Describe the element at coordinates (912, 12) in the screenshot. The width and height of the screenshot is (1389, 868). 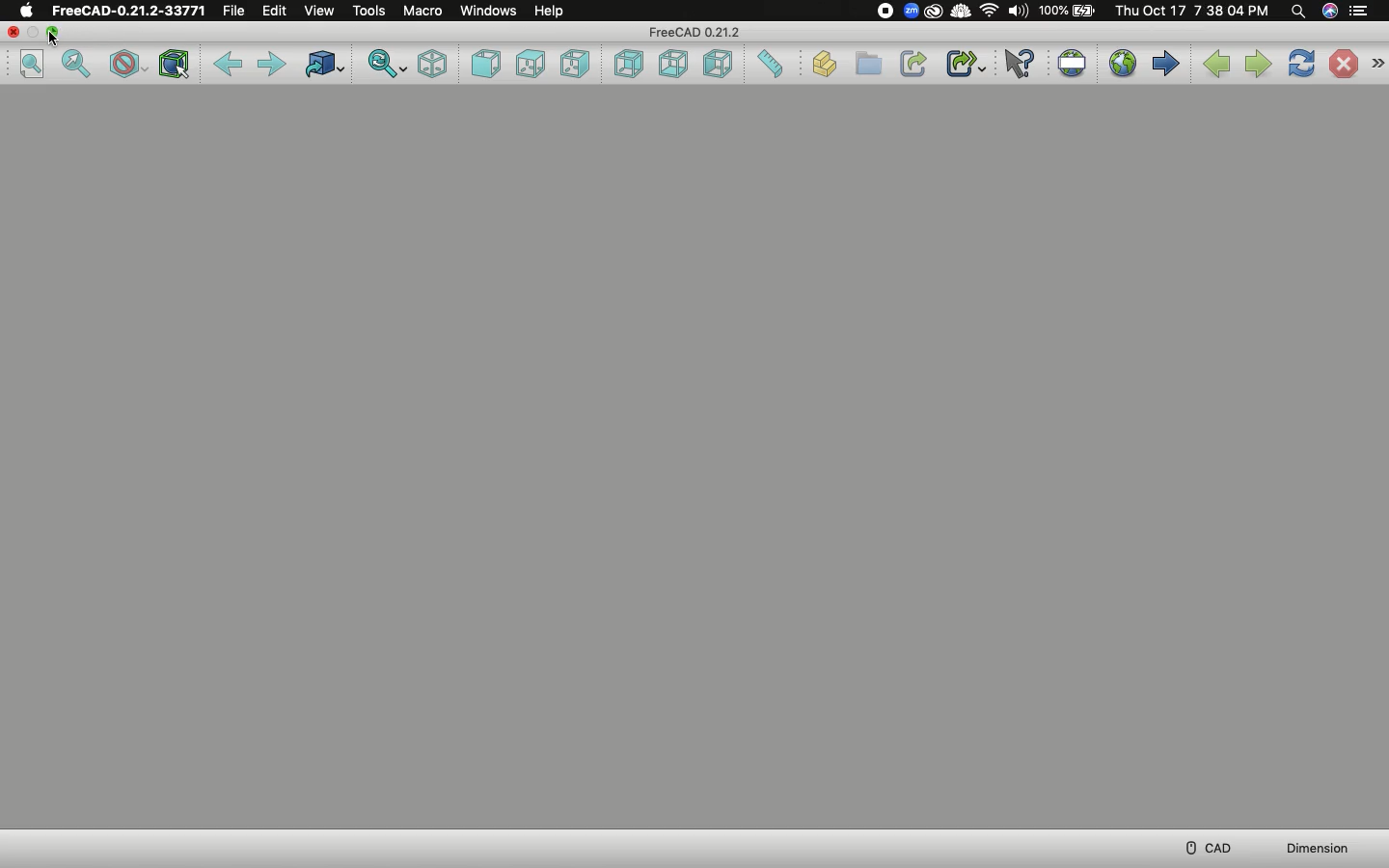
I see `Zoom` at that location.